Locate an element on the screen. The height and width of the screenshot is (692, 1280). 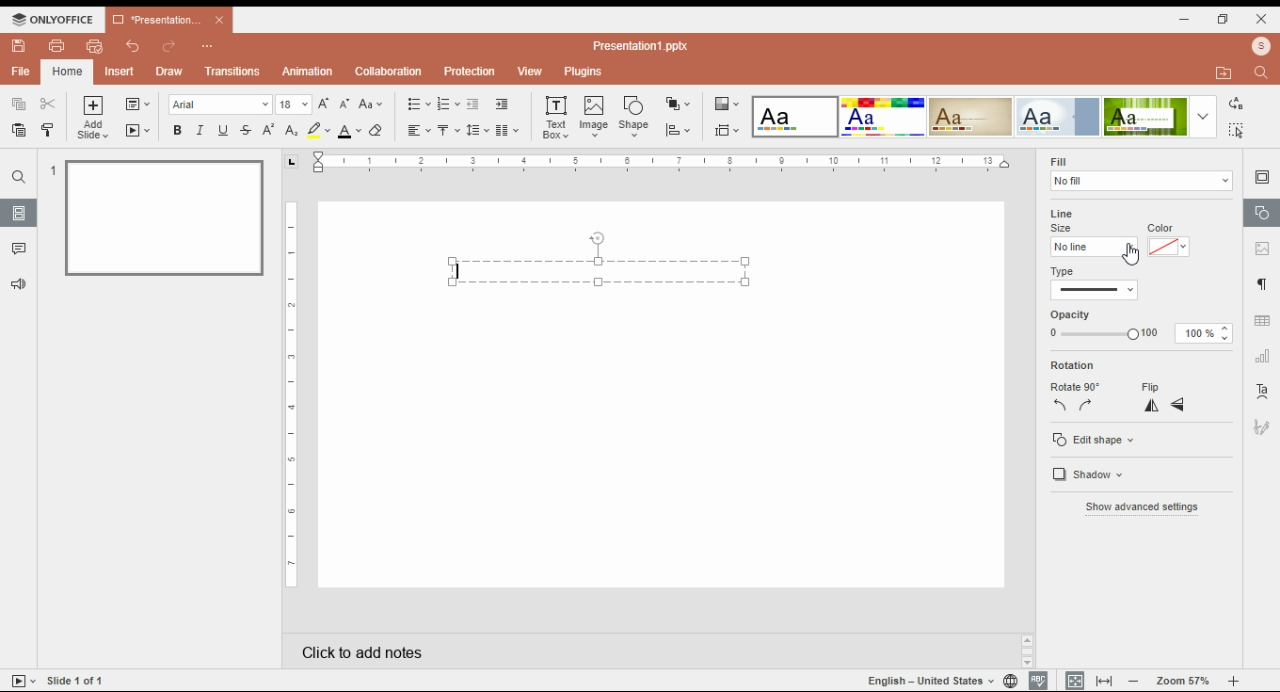
collaboration is located at coordinates (389, 73).